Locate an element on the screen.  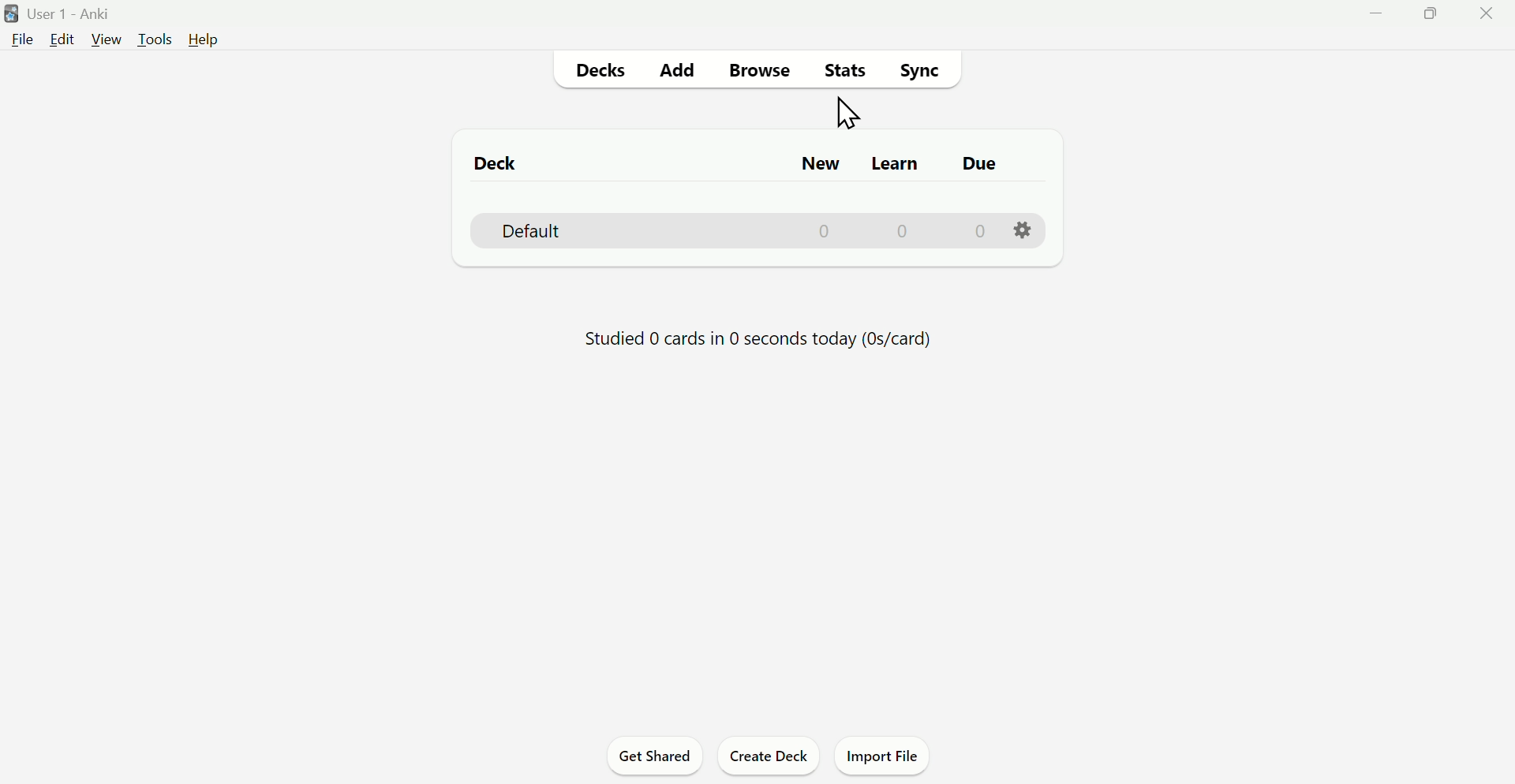
0 is located at coordinates (982, 231).